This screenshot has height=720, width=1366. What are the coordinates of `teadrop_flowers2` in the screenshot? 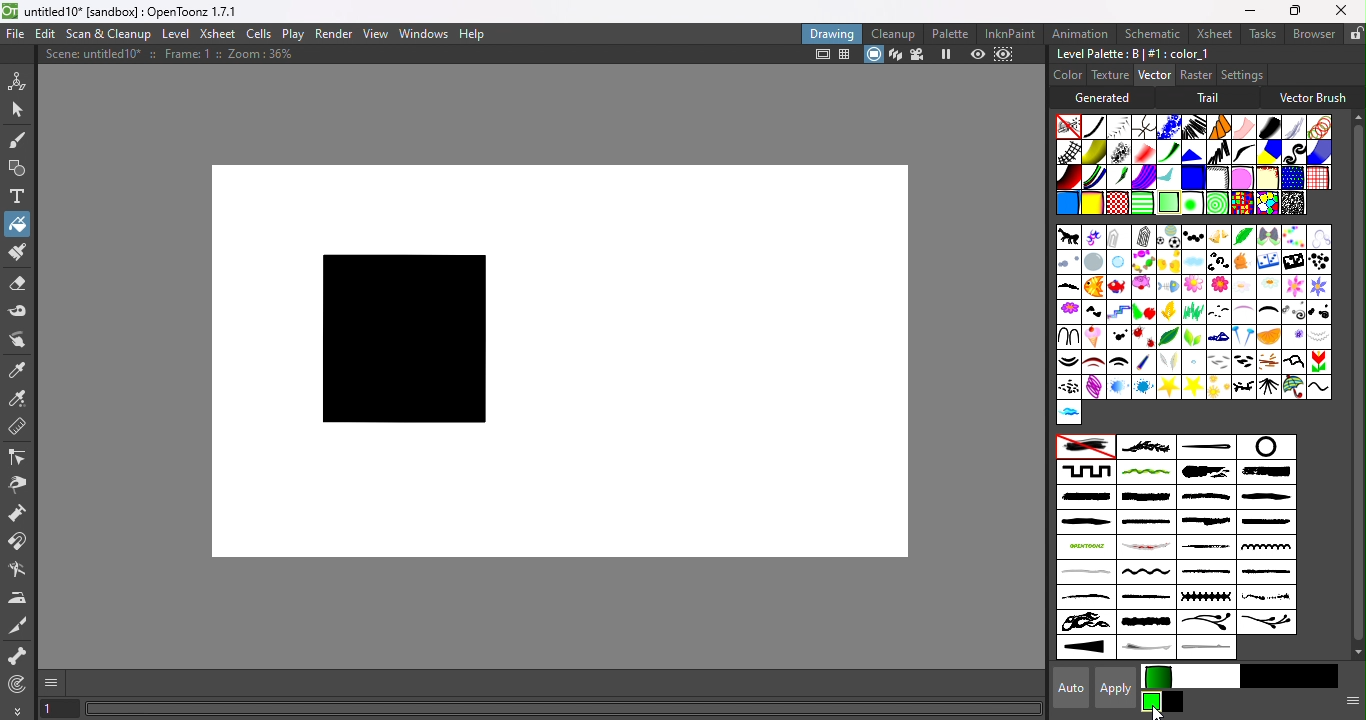 It's located at (1265, 622).